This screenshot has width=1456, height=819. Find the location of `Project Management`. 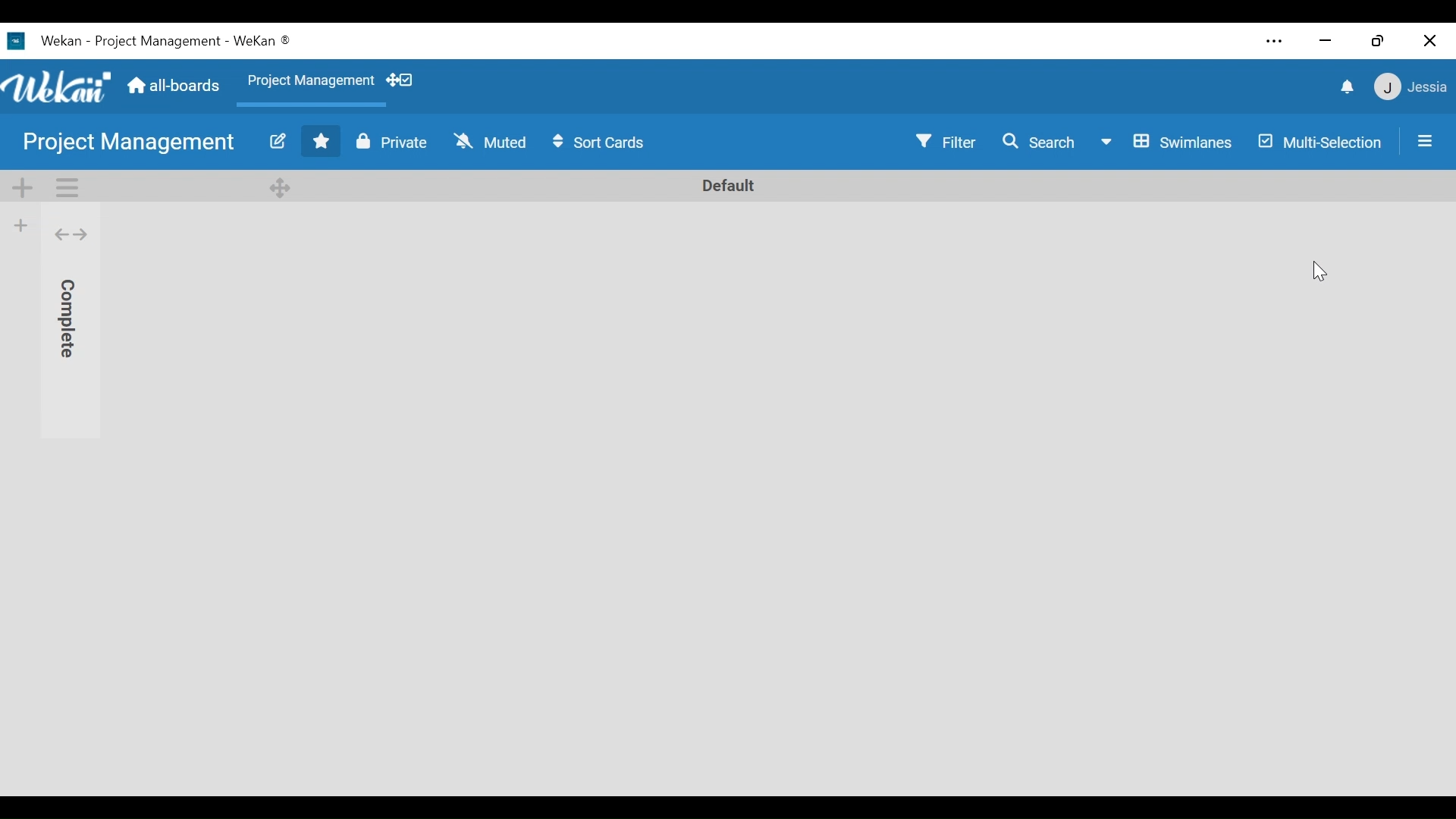

Project Management is located at coordinates (312, 82).